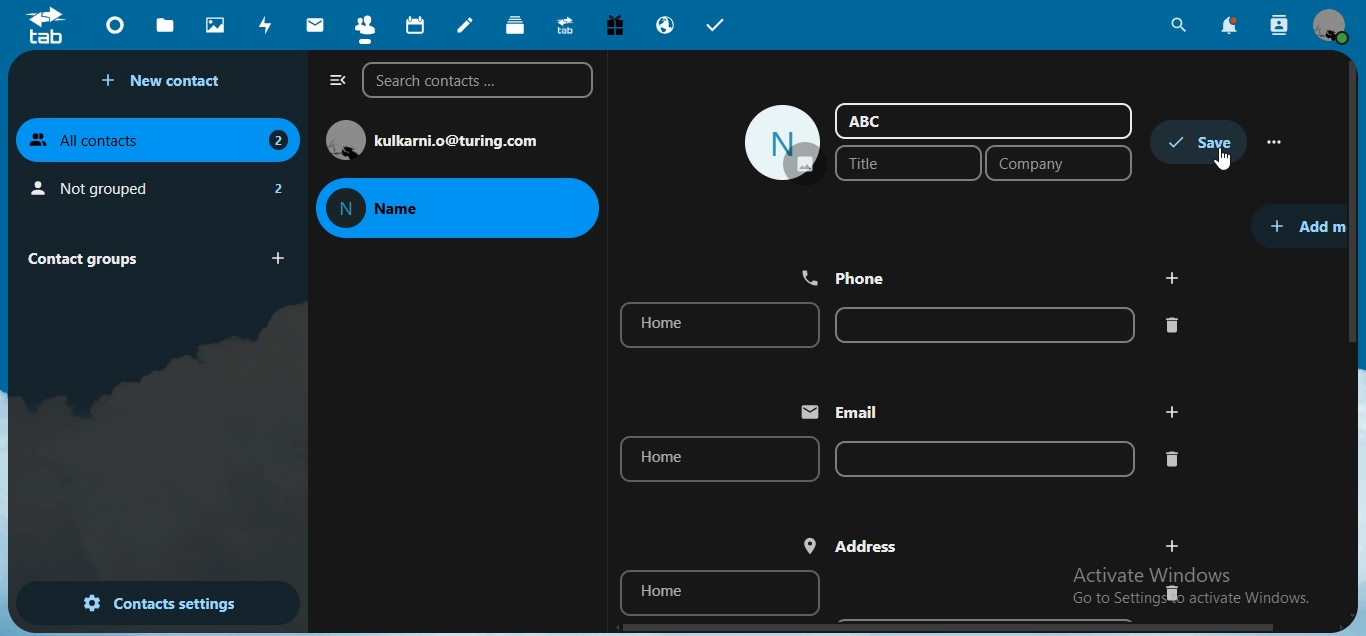  I want to click on icon, so click(48, 25).